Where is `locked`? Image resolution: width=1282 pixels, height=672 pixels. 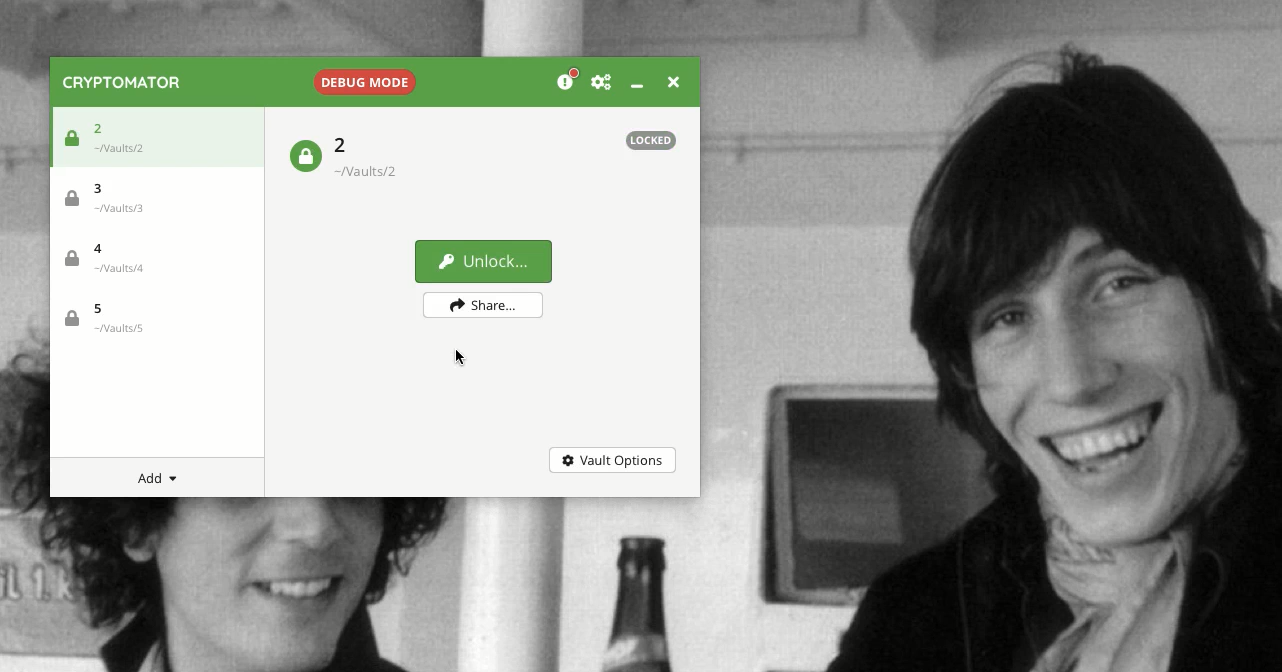 locked is located at coordinates (114, 139).